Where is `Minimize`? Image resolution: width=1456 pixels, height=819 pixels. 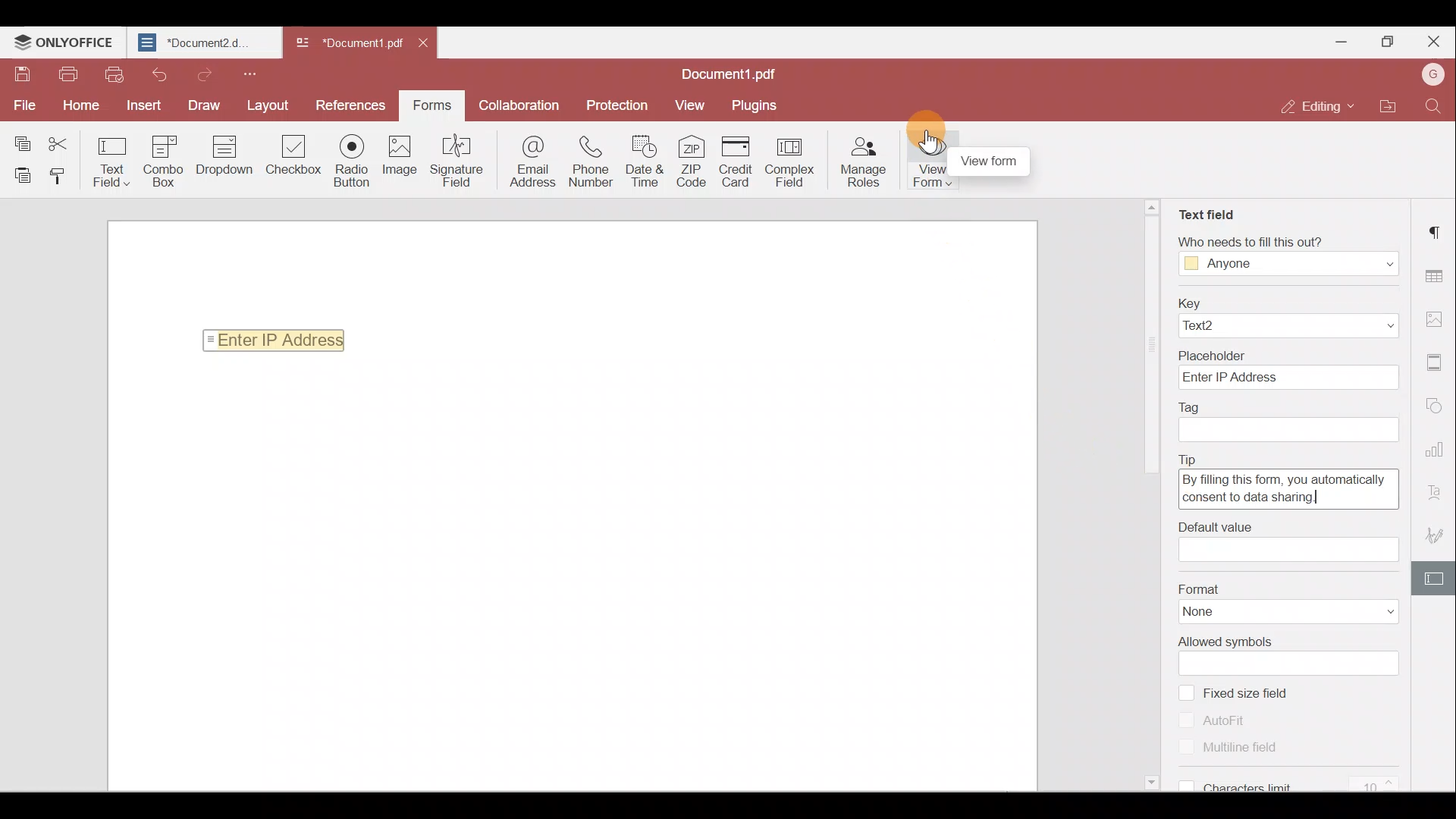
Minimize is located at coordinates (1343, 40).